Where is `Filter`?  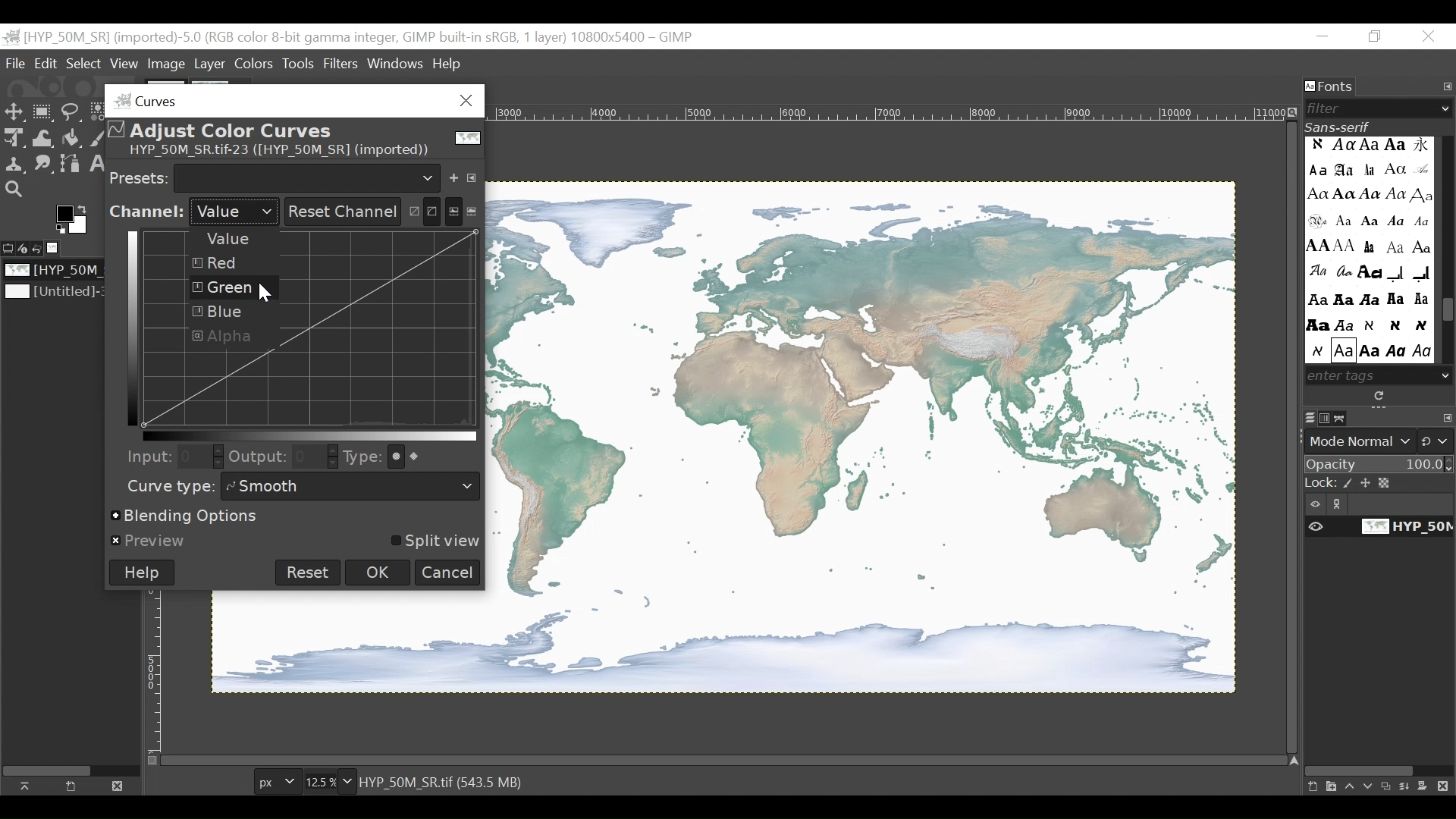 Filter is located at coordinates (1373, 108).